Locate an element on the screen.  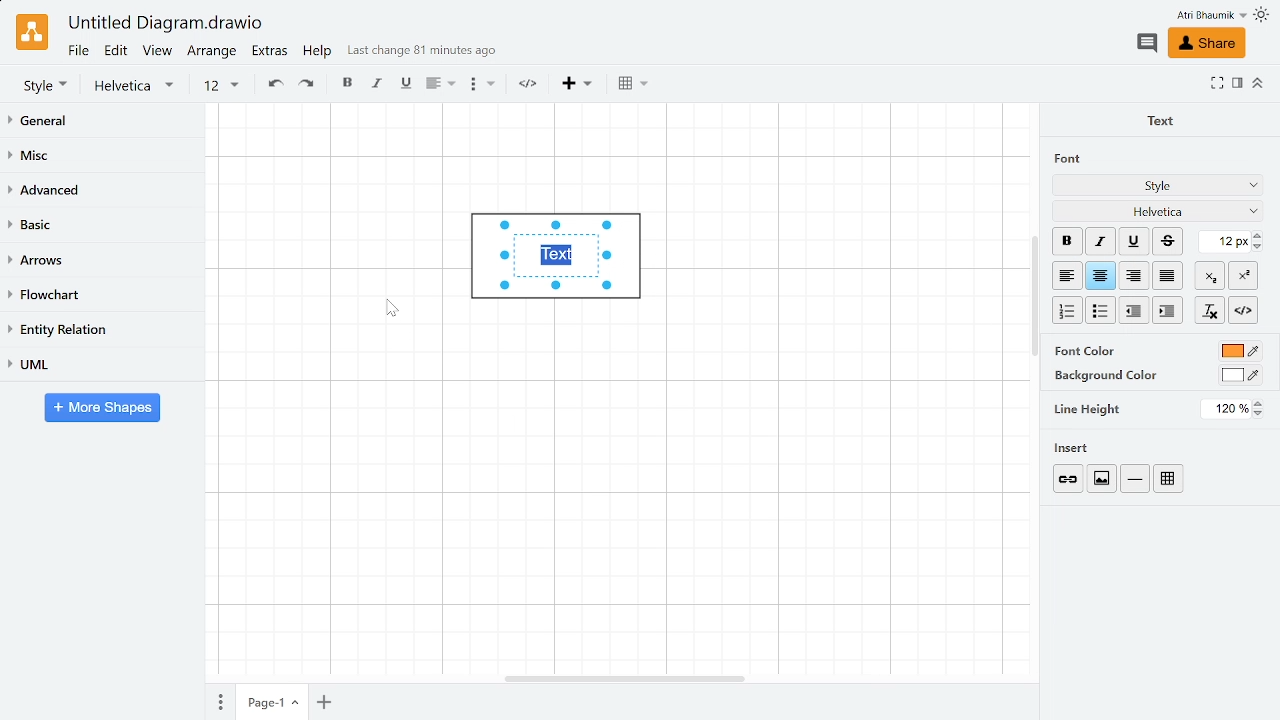
Pages is located at coordinates (218, 701).